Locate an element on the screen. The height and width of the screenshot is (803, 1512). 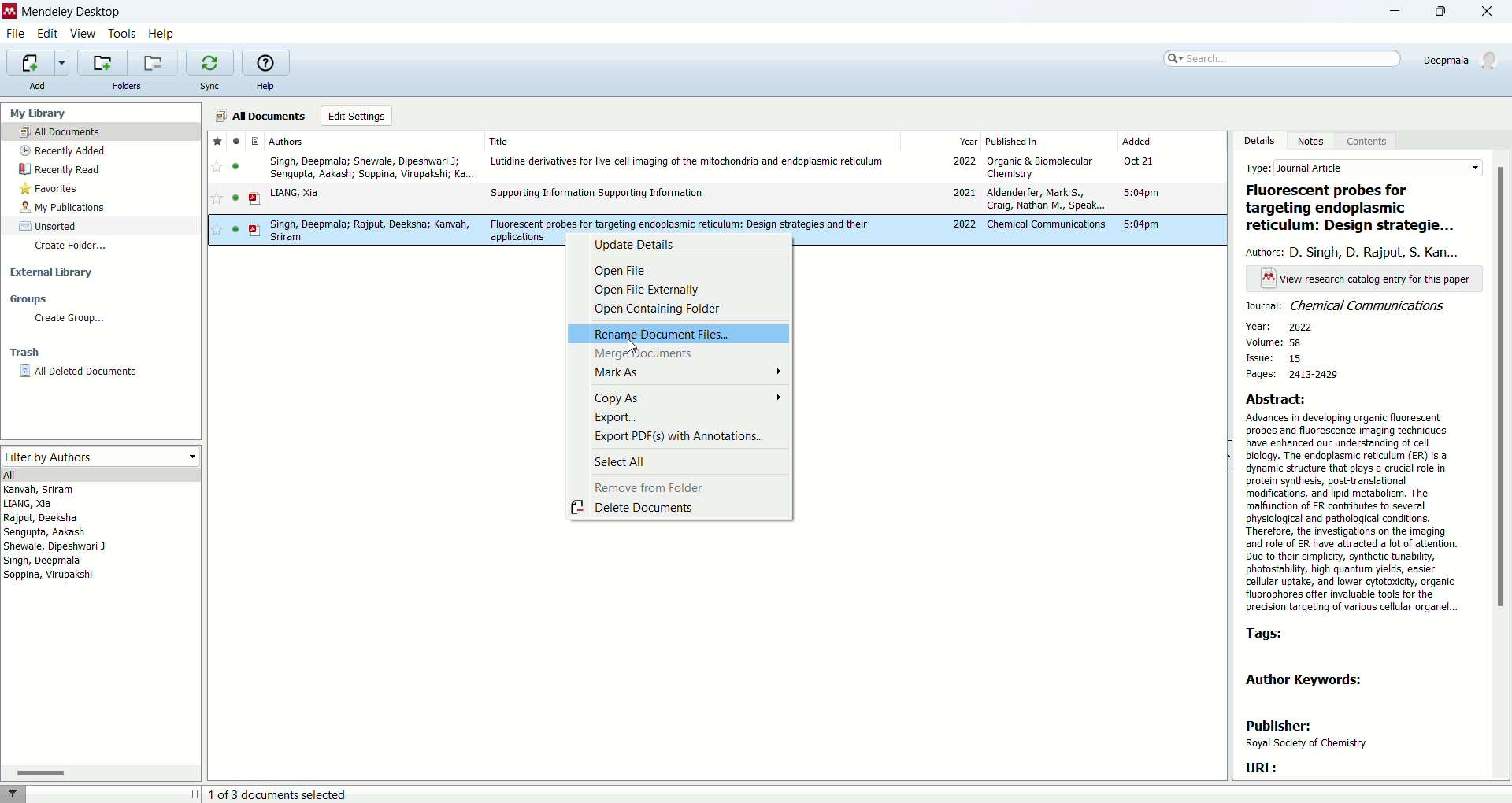
journal name is located at coordinates (1350, 306).